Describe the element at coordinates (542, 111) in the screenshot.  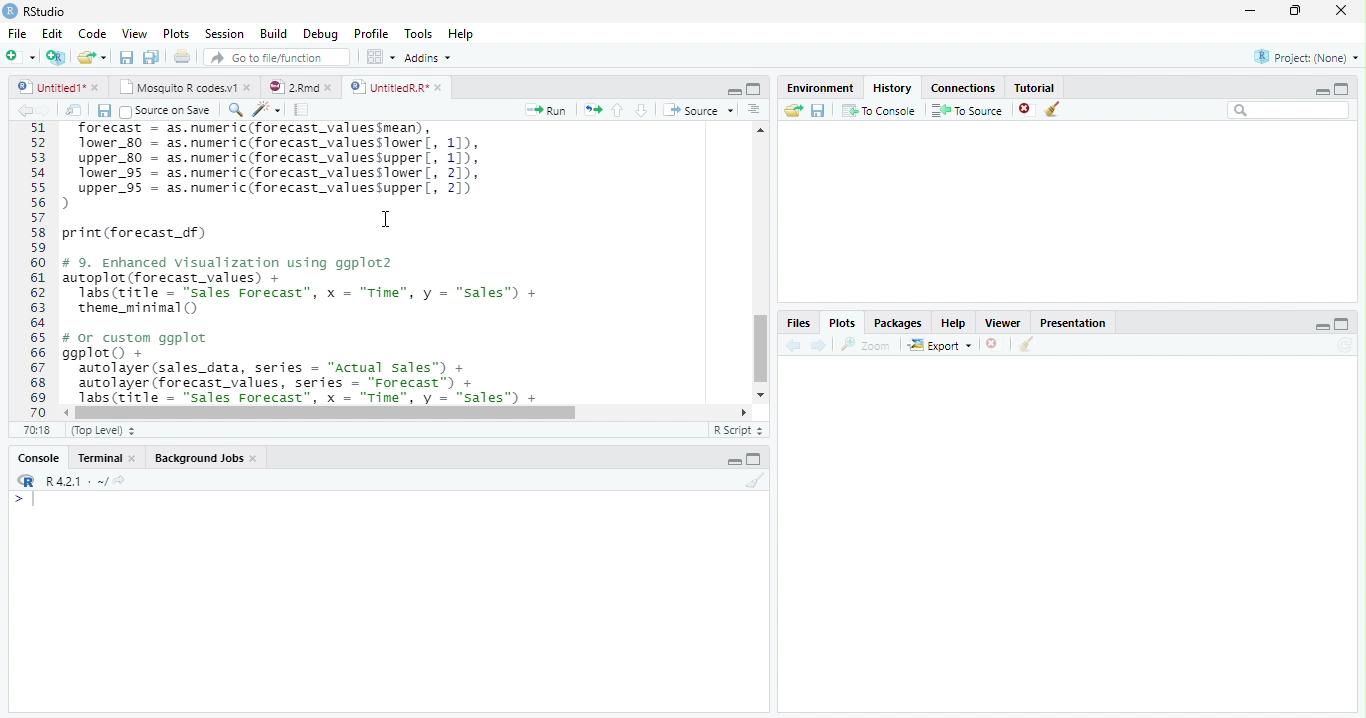
I see `Run` at that location.